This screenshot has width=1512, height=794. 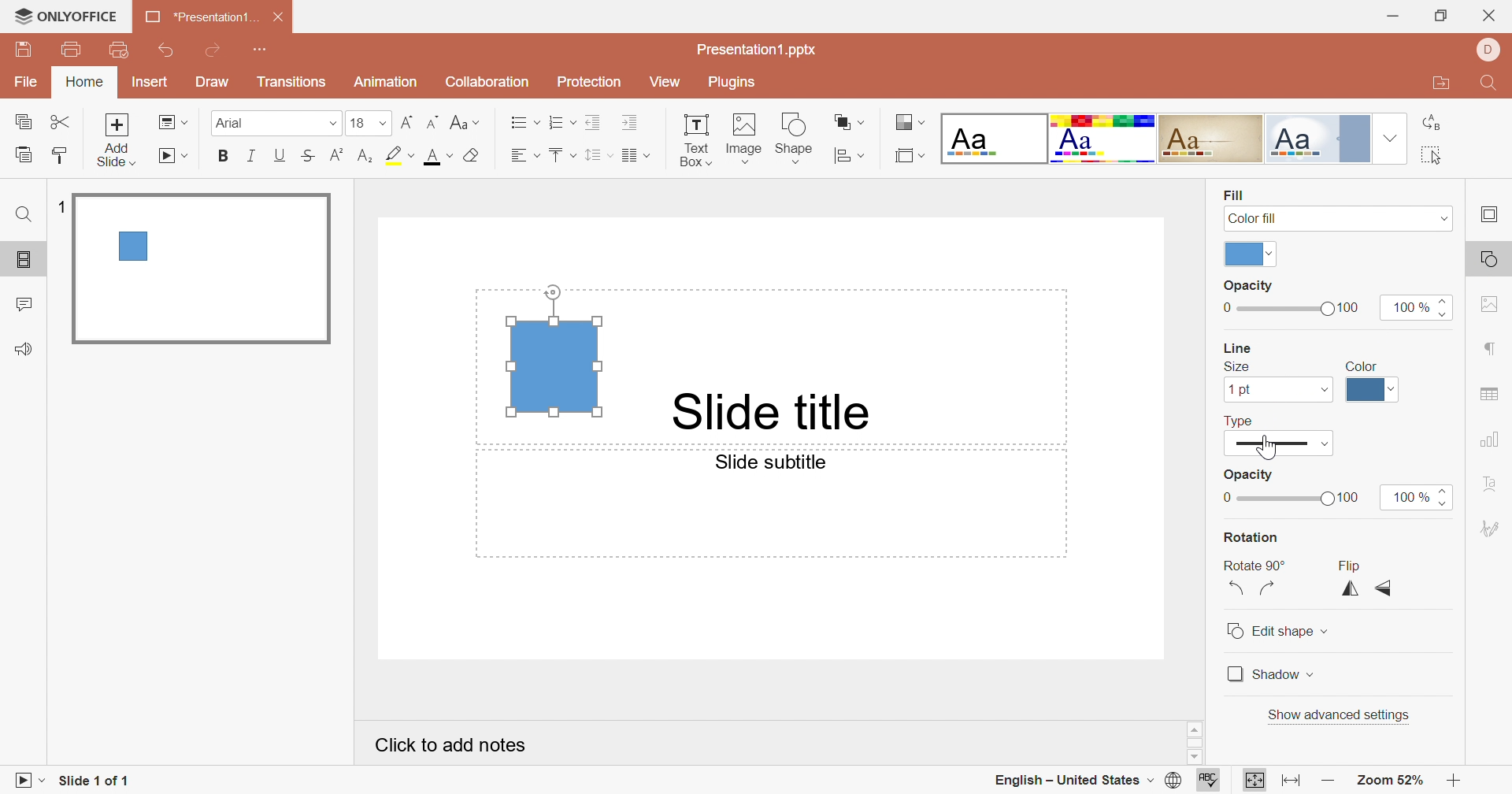 What do you see at coordinates (24, 155) in the screenshot?
I see `Copy Style` at bounding box center [24, 155].